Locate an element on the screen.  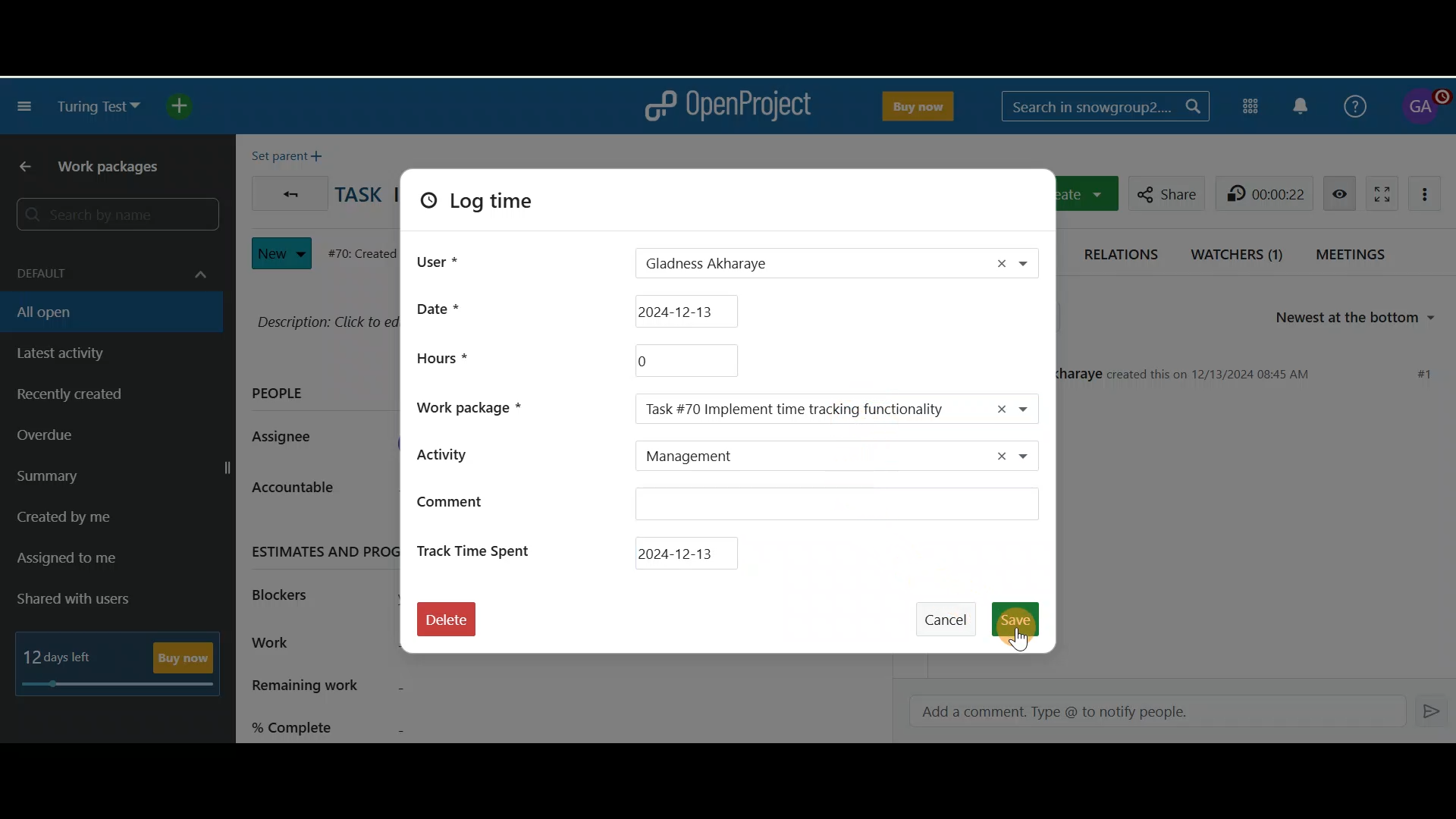
Overdue is located at coordinates (86, 440).